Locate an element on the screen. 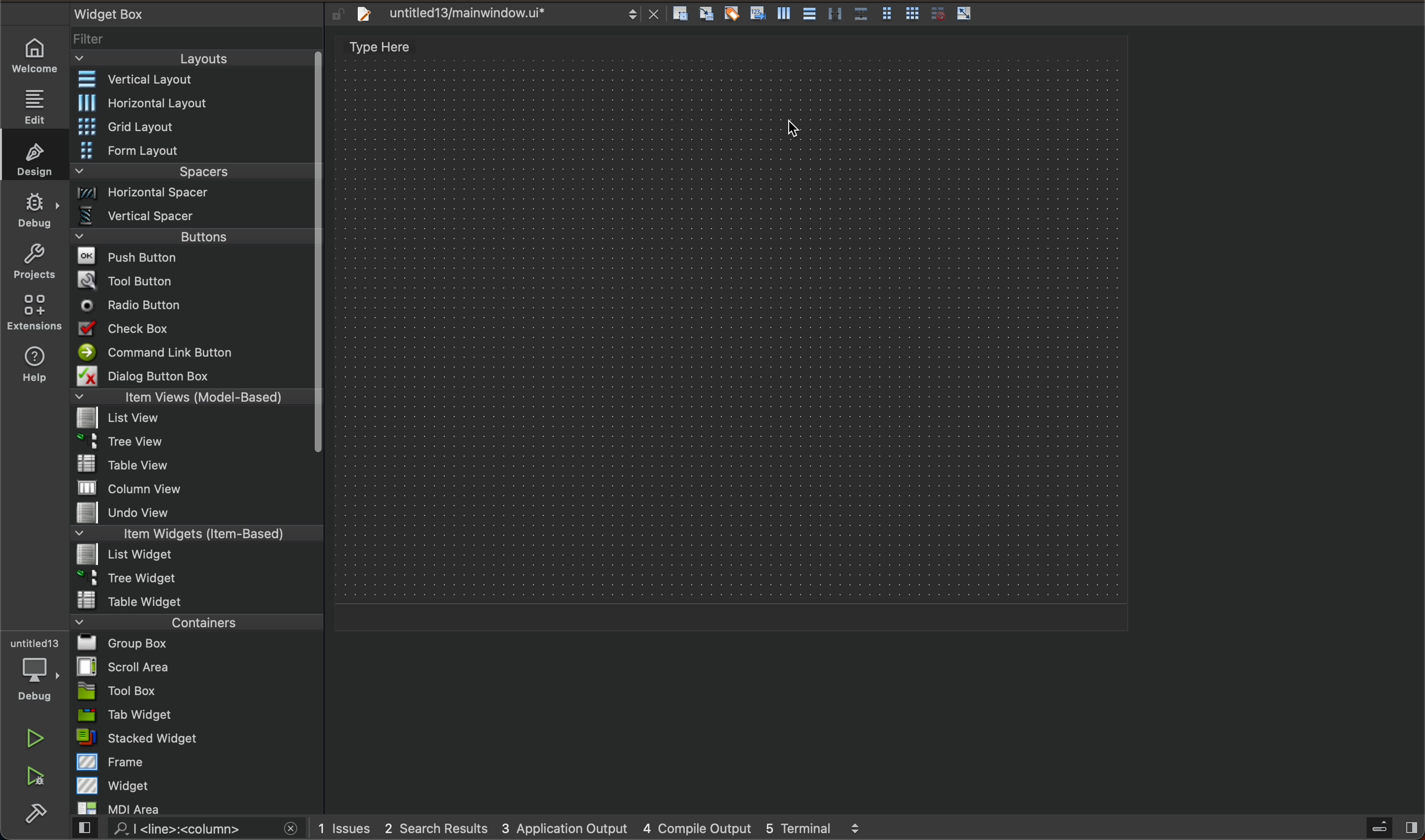  filter is located at coordinates (196, 39).